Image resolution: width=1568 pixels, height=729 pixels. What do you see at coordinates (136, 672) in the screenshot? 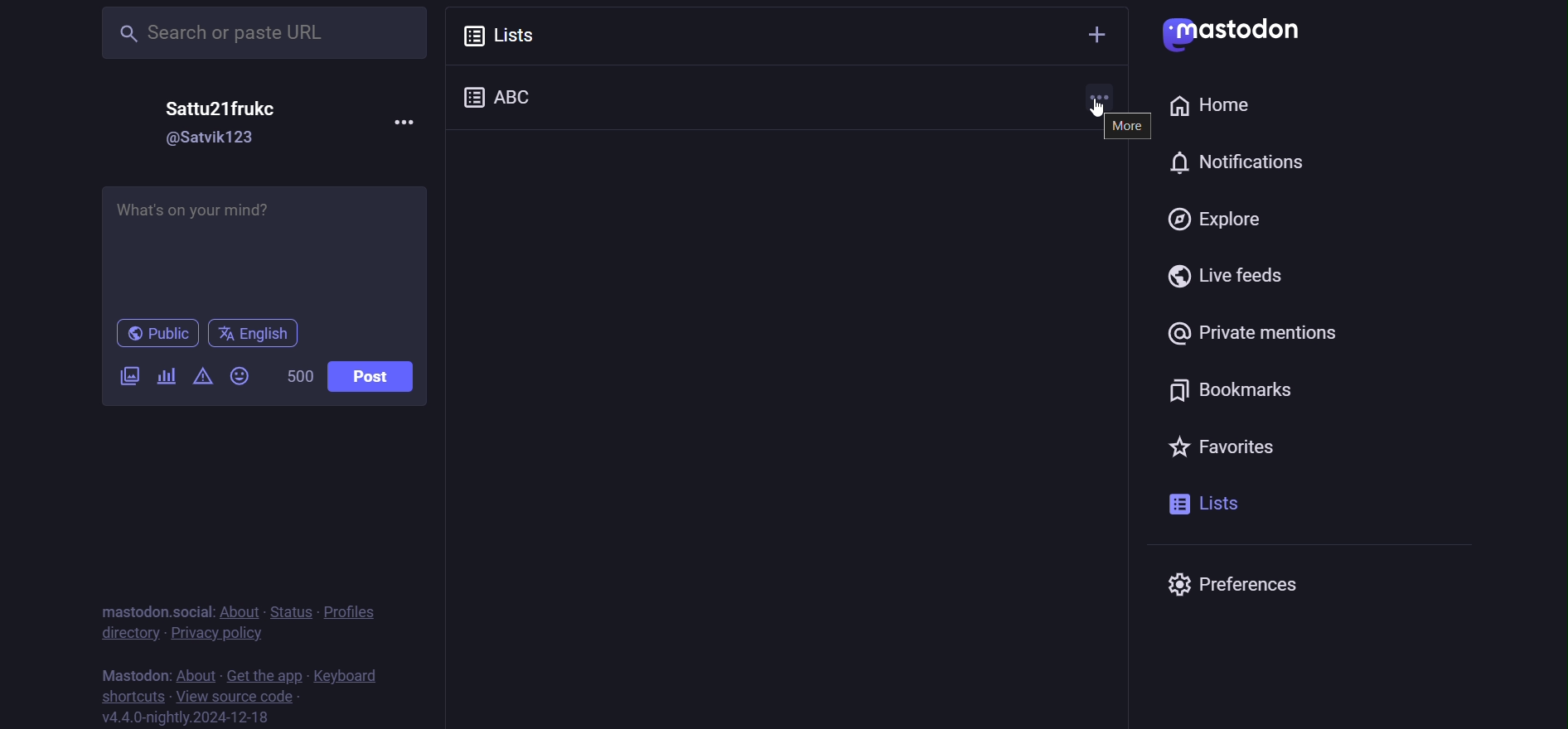
I see `mastodon` at bounding box center [136, 672].